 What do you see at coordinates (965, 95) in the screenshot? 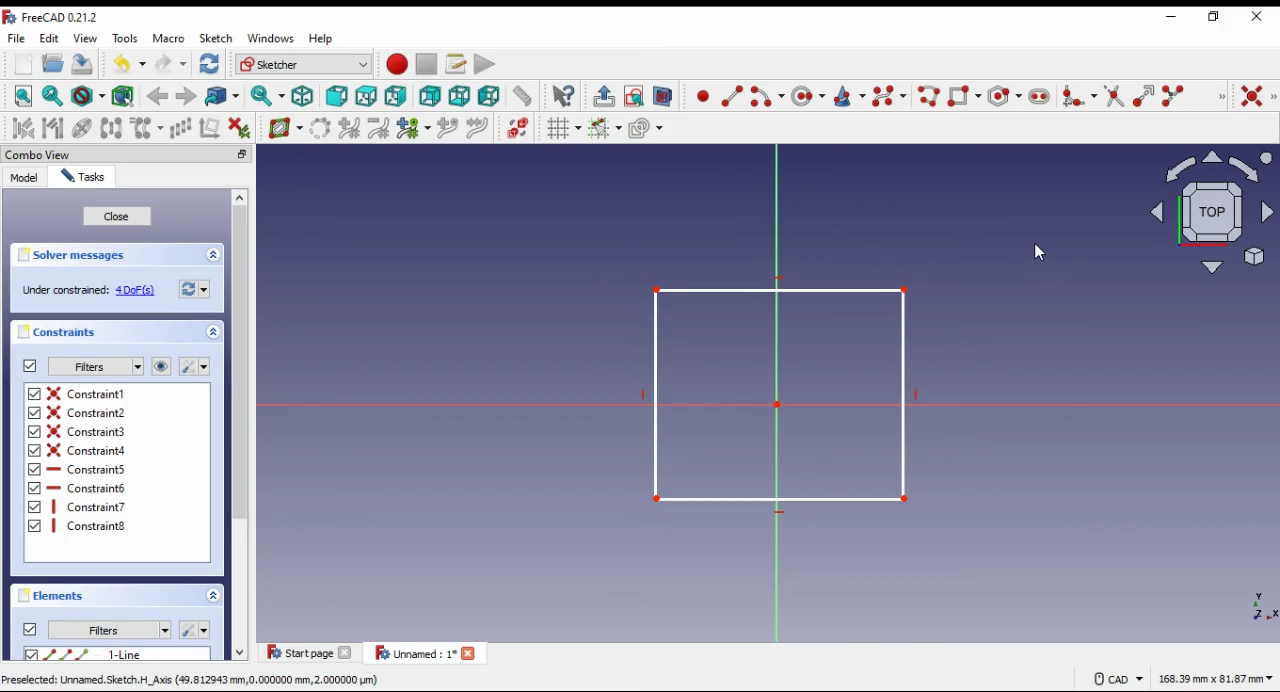
I see `create rectangle` at bounding box center [965, 95].